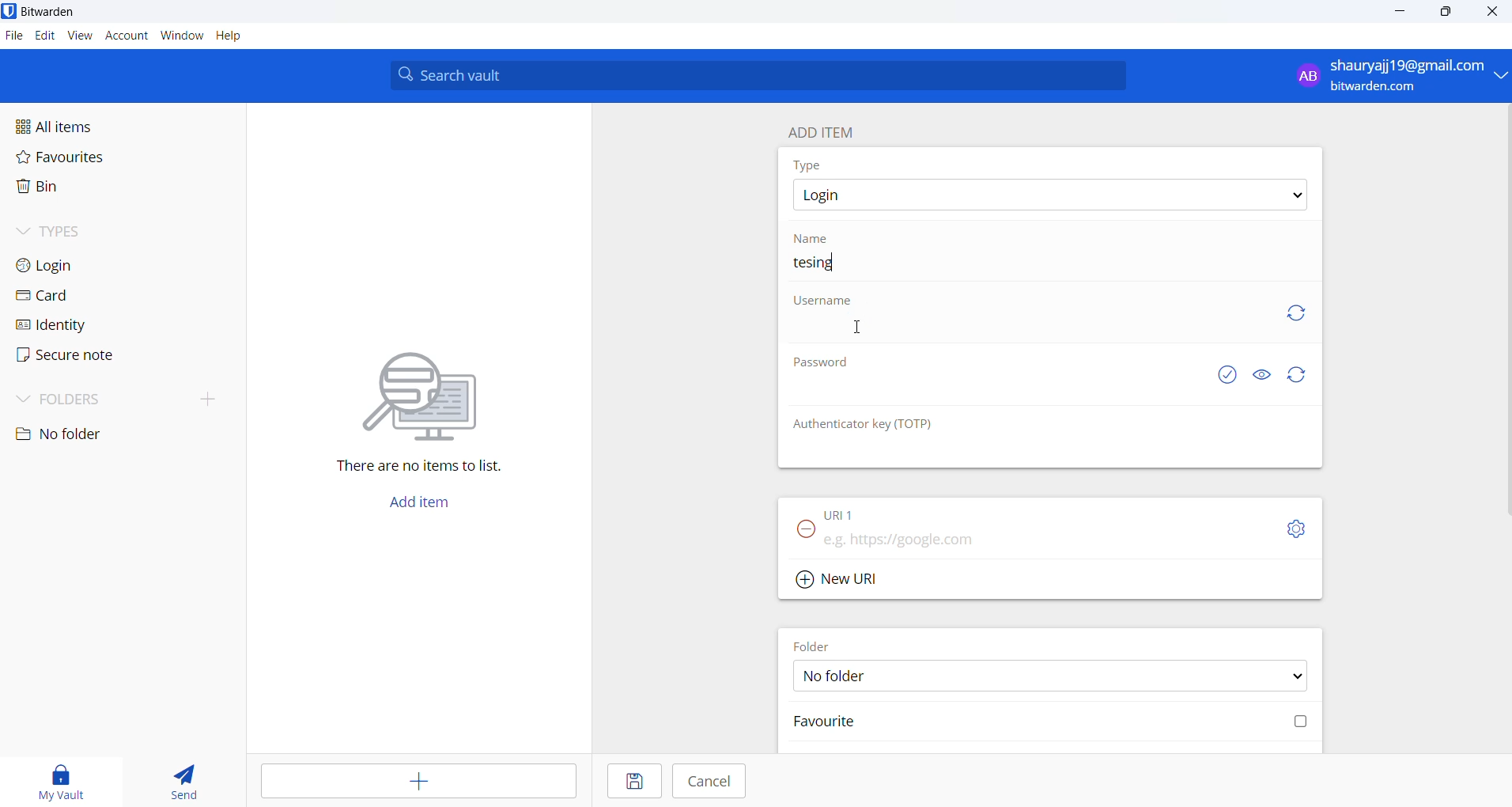  I want to click on cancel, so click(709, 781).